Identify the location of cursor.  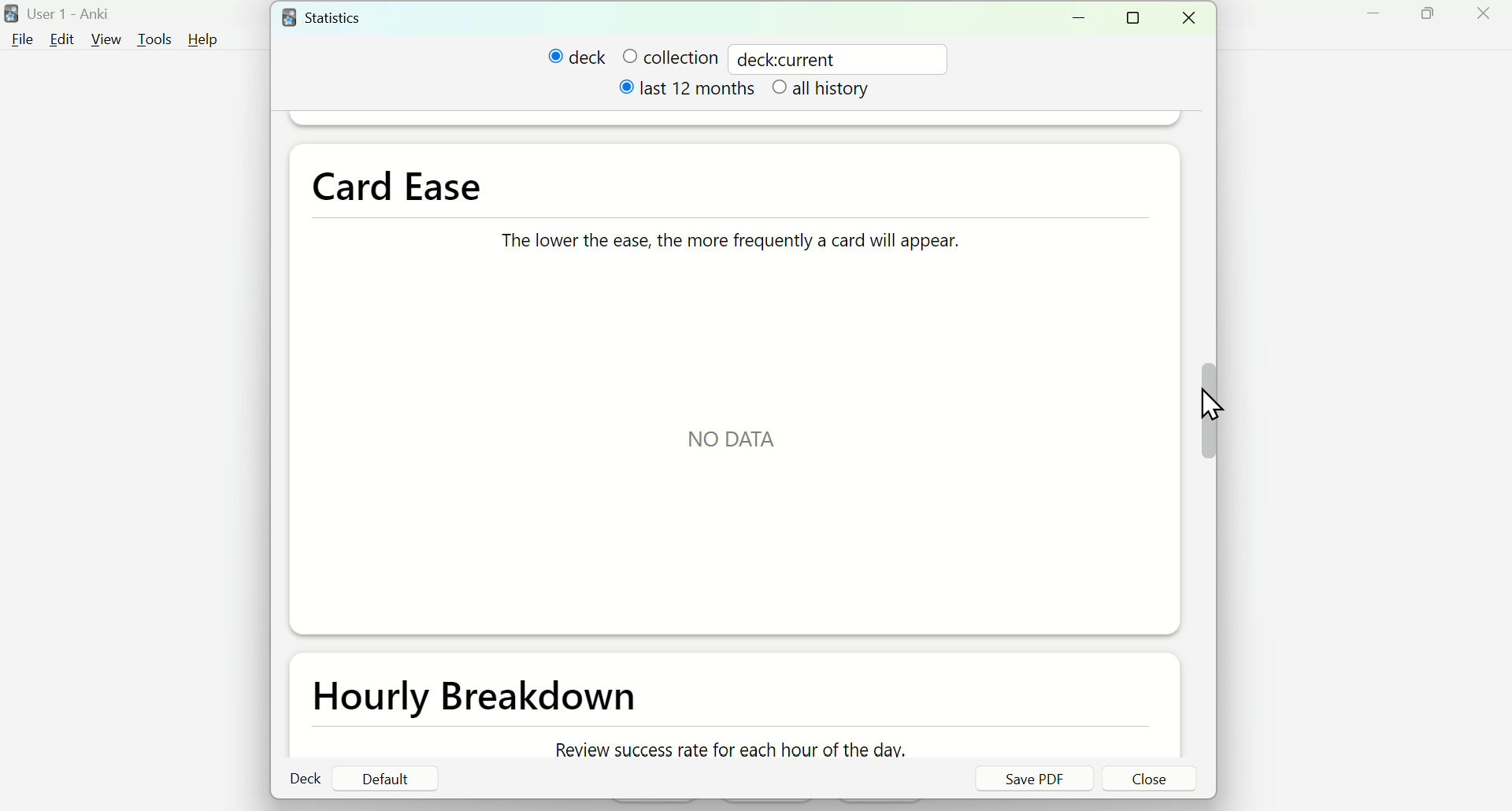
(1217, 409).